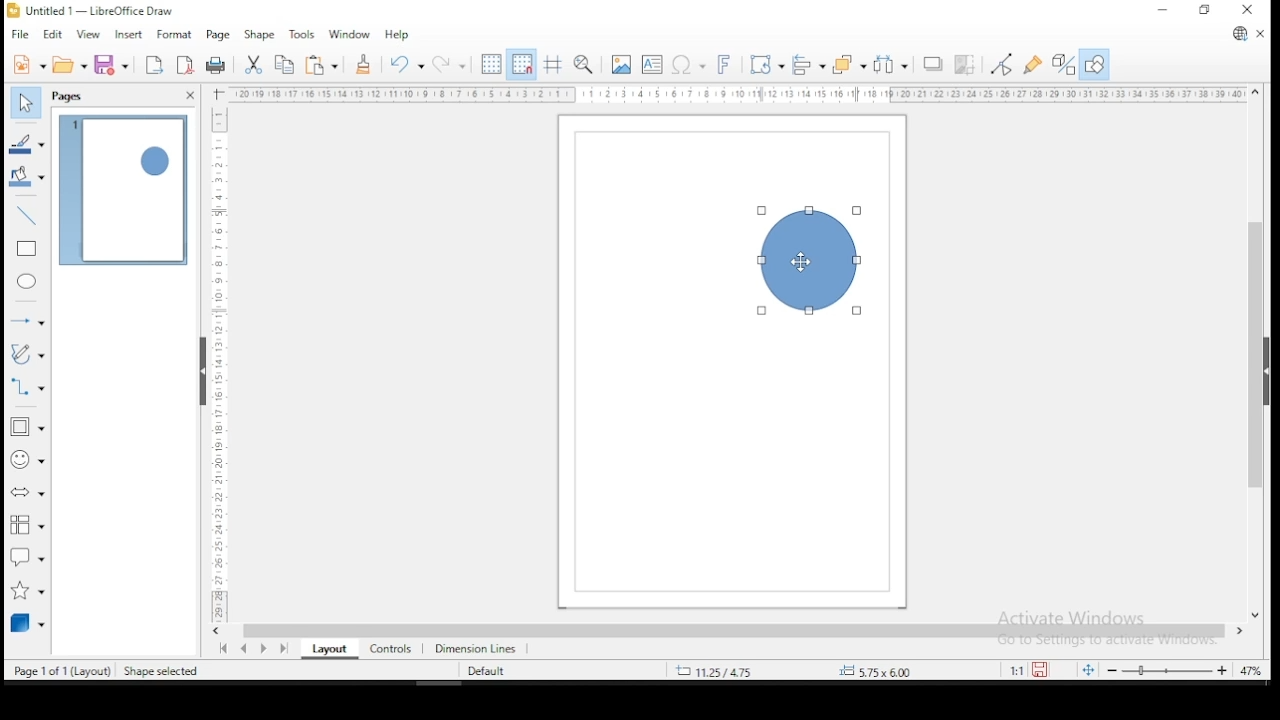 This screenshot has width=1280, height=720. I want to click on paste, so click(324, 65).